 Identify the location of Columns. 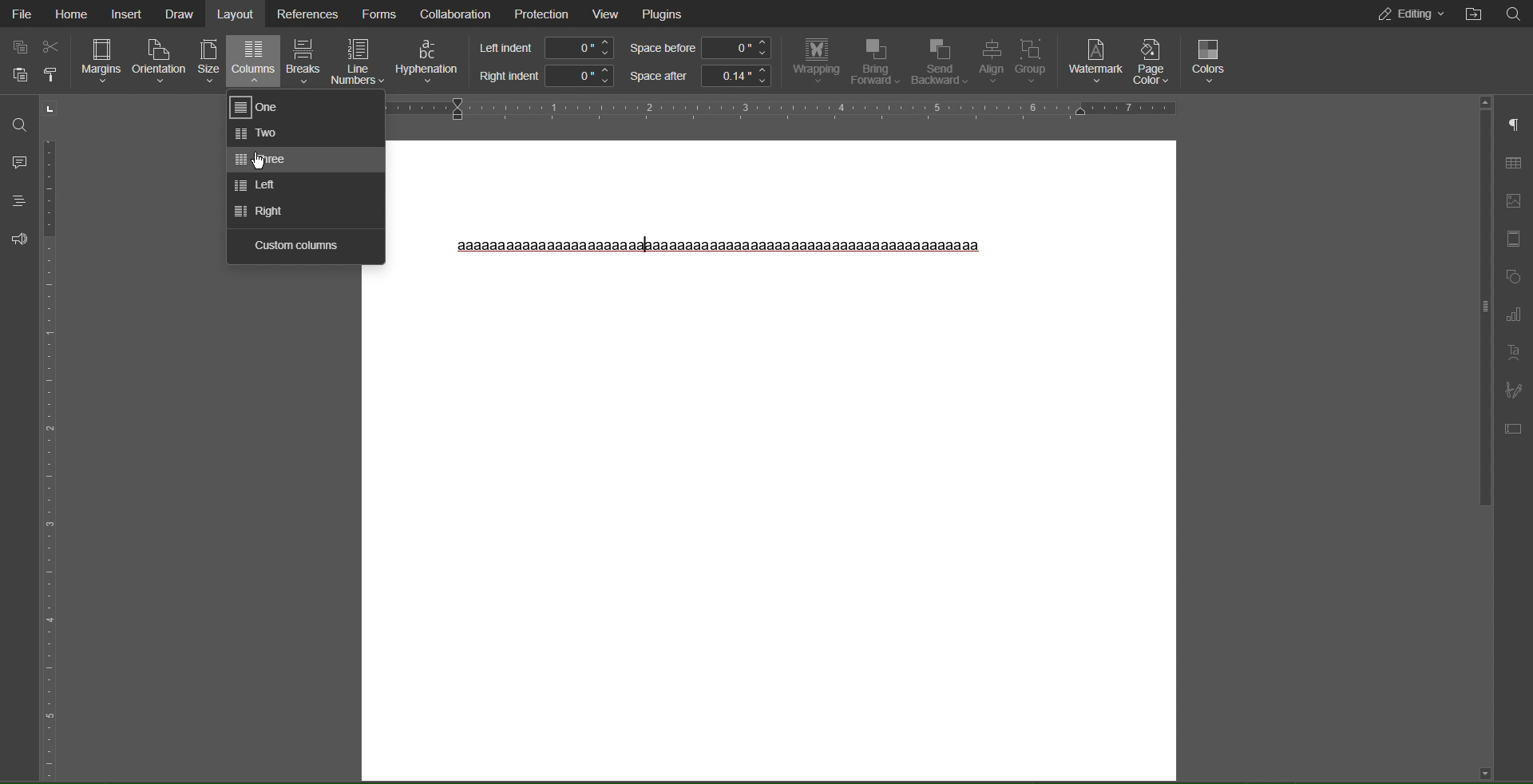
(255, 63).